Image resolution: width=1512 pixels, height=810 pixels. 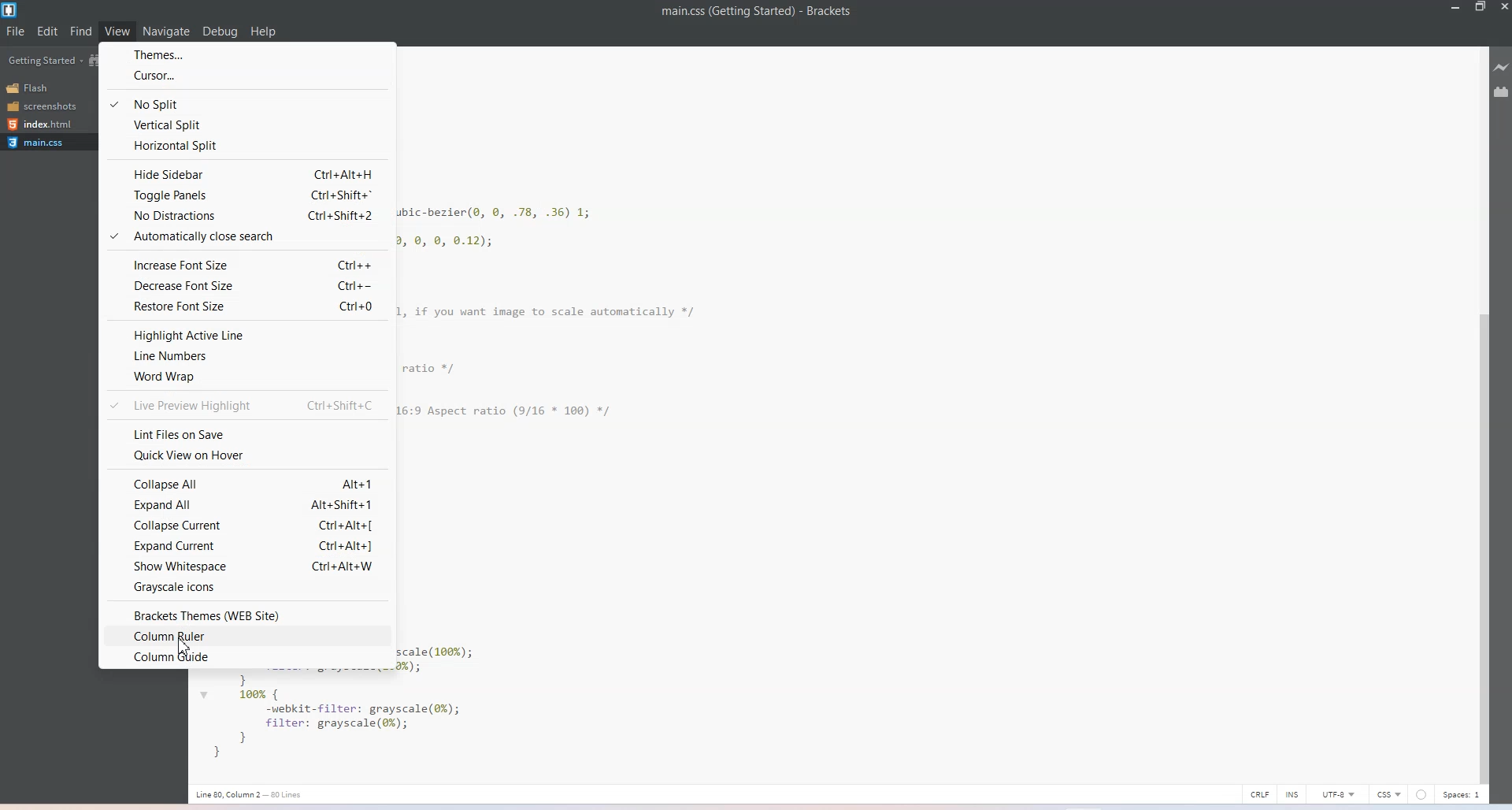 What do you see at coordinates (246, 238) in the screenshot?
I see `Automatically Close Search` at bounding box center [246, 238].